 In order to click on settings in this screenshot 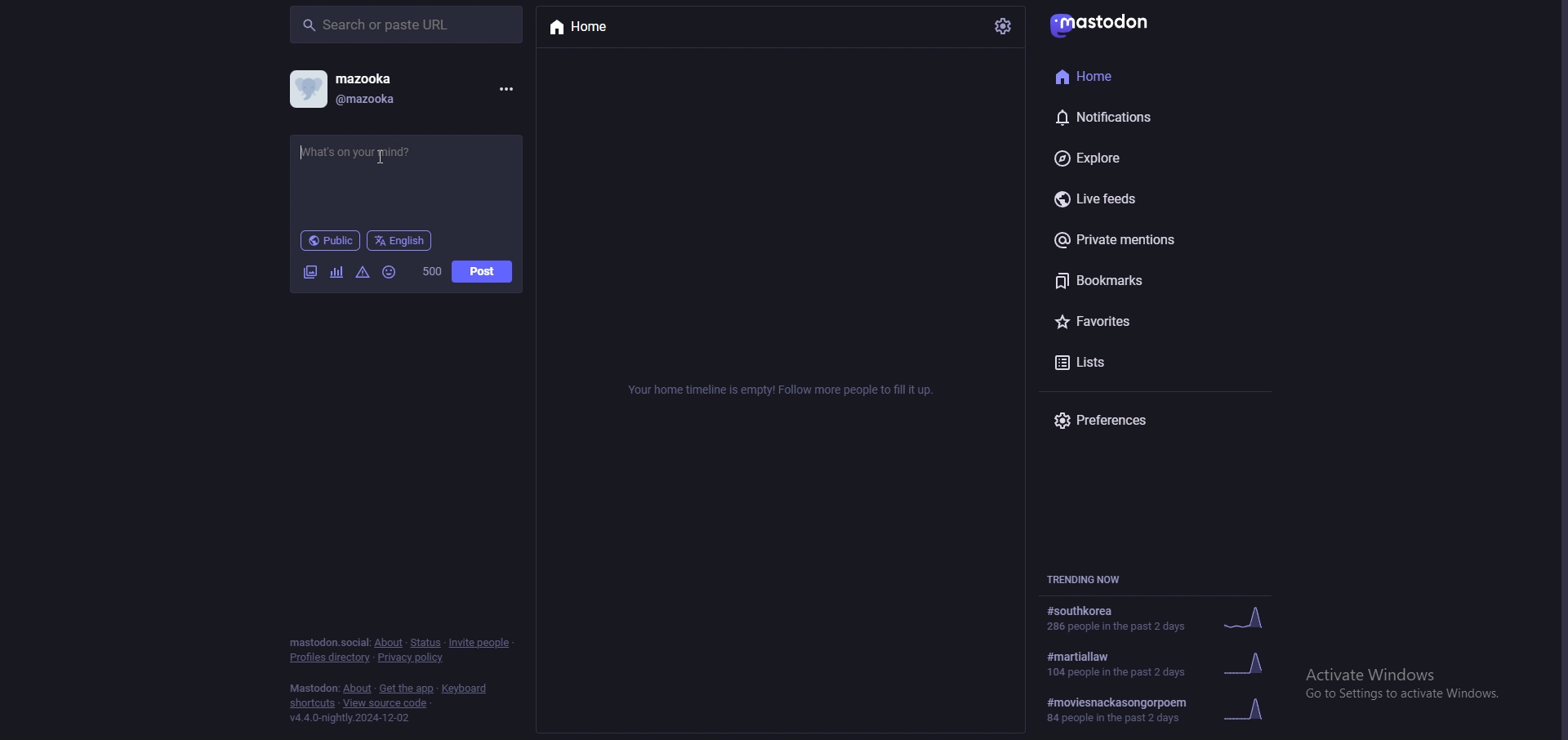, I will do `click(1004, 25)`.